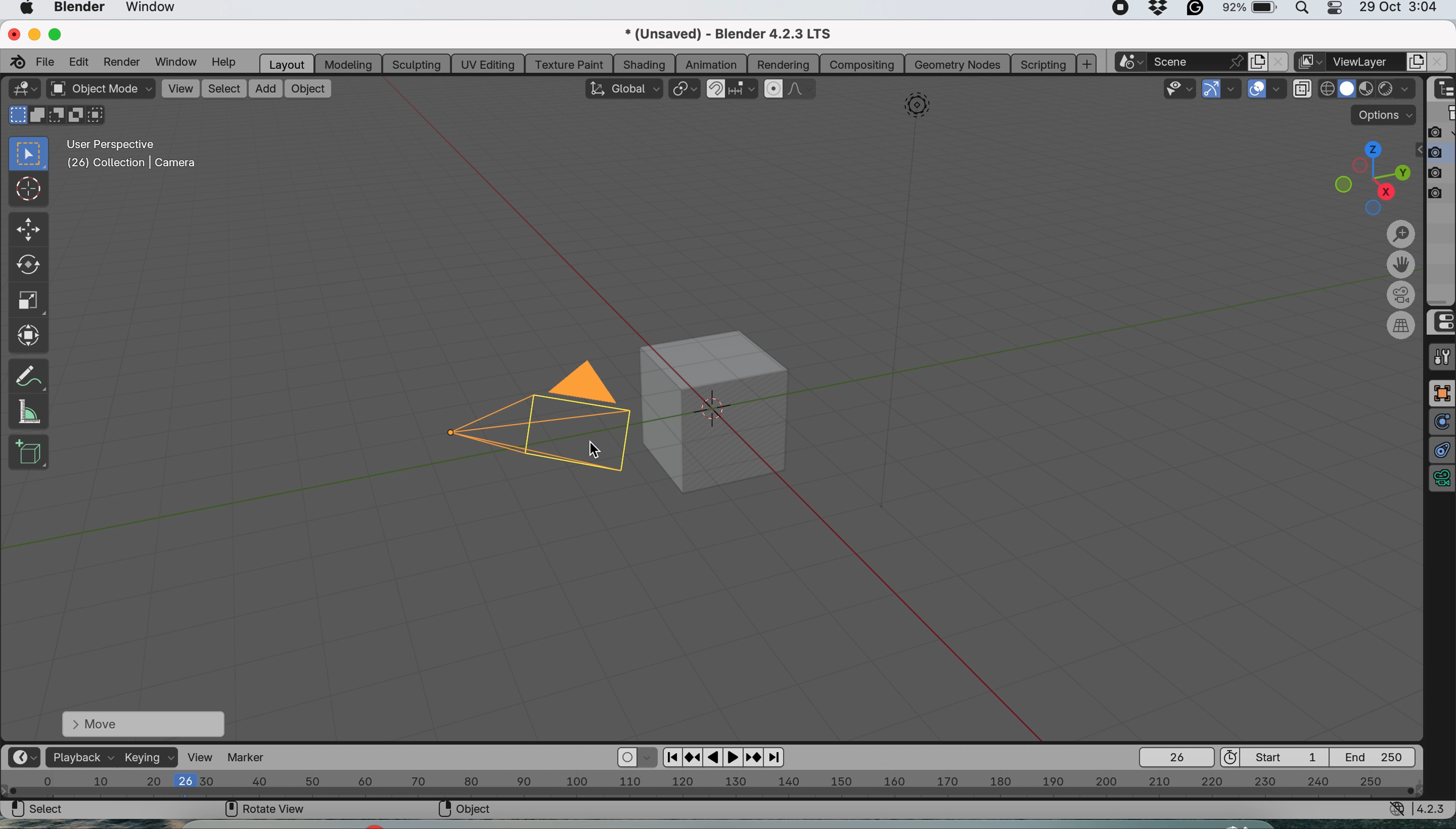  Describe the element at coordinates (1434, 809) in the screenshot. I see `4.2.3 version` at that location.